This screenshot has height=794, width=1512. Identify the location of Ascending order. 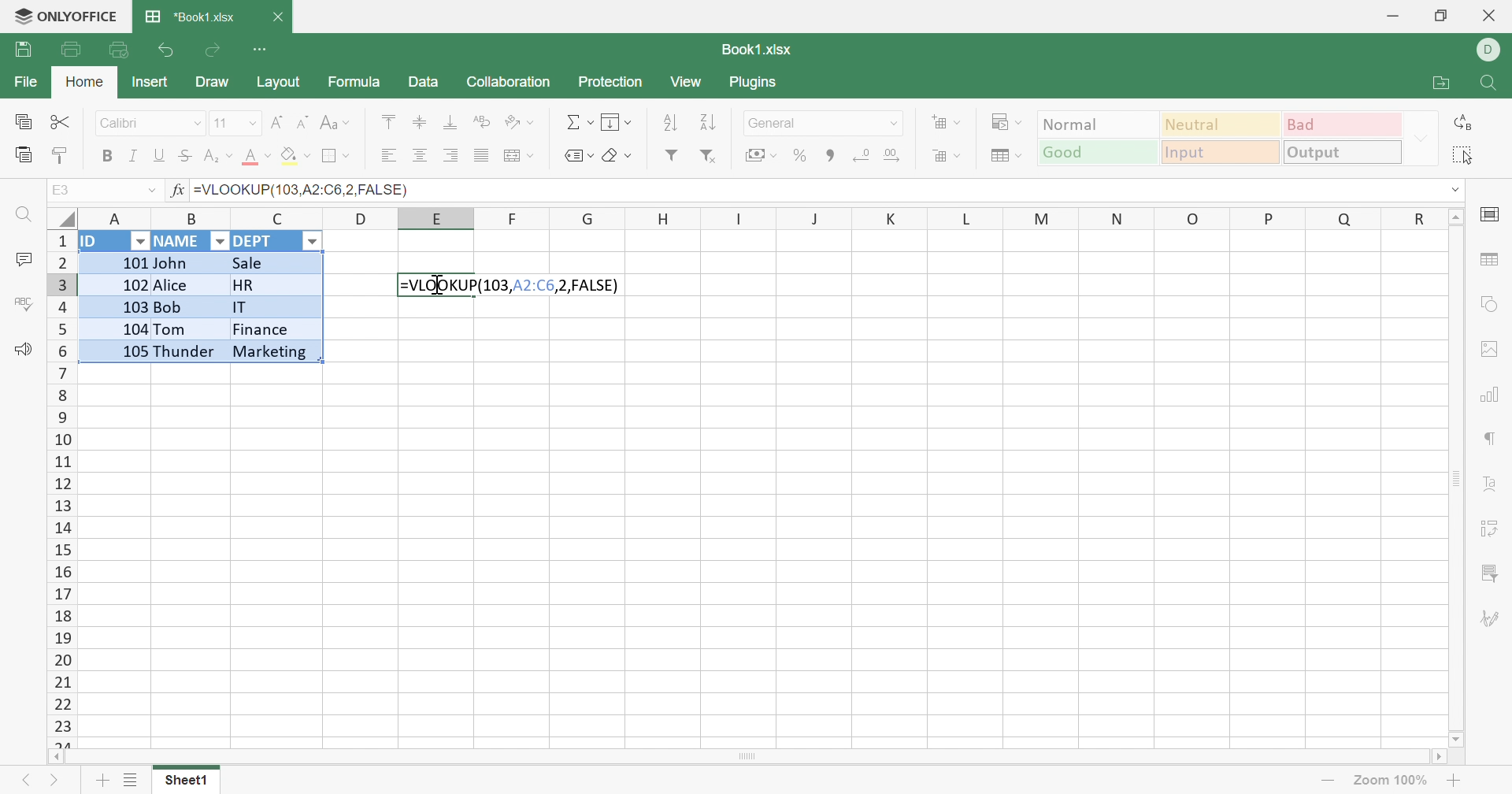
(673, 121).